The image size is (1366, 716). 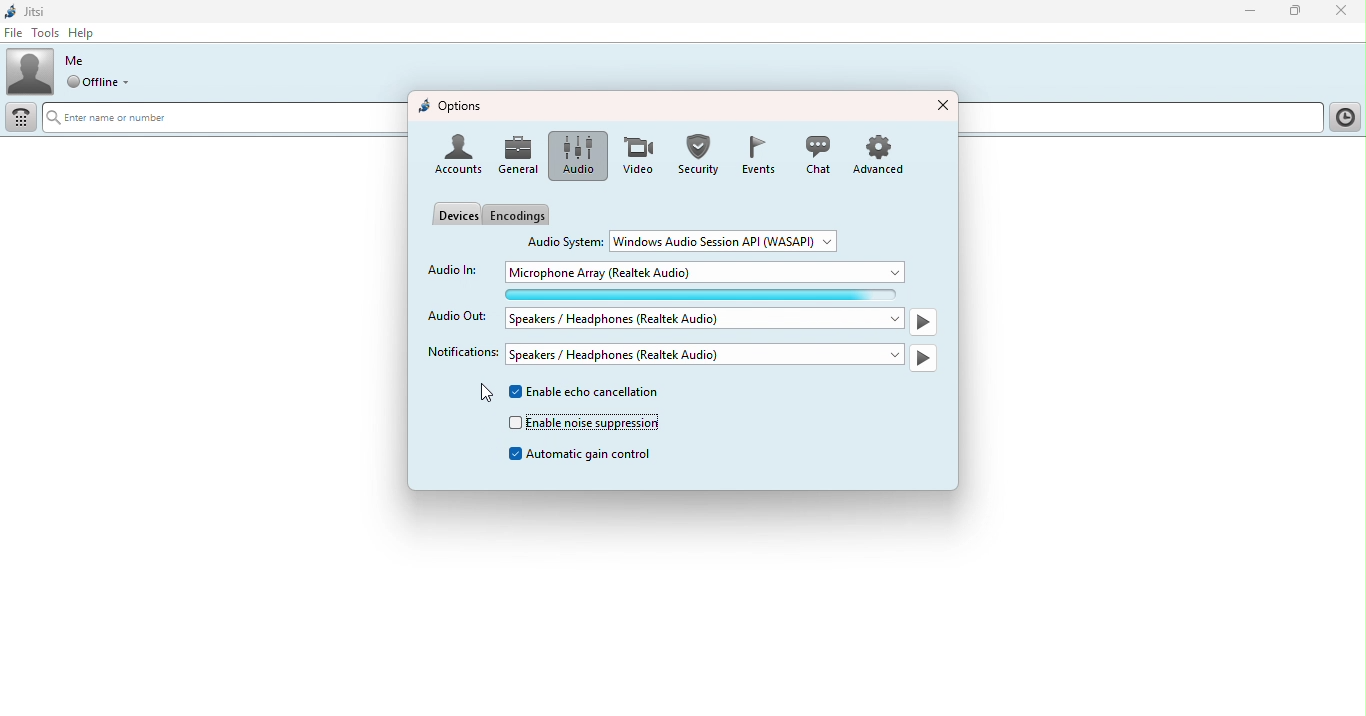 I want to click on Microphone Array (Realtek Audio), so click(x=709, y=272).